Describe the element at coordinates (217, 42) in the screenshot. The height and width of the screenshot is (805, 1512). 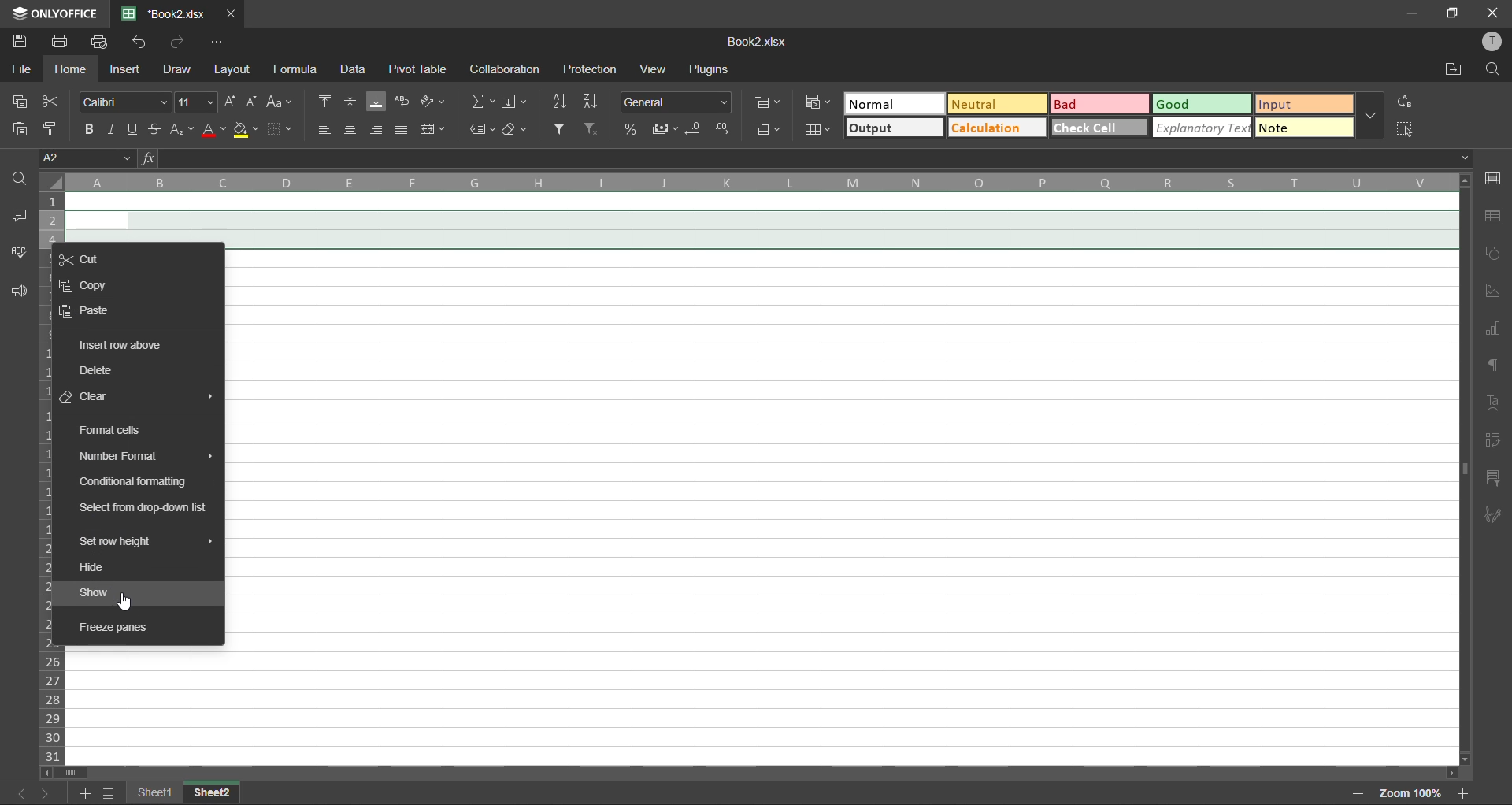
I see `customize quick access toolbar` at that location.